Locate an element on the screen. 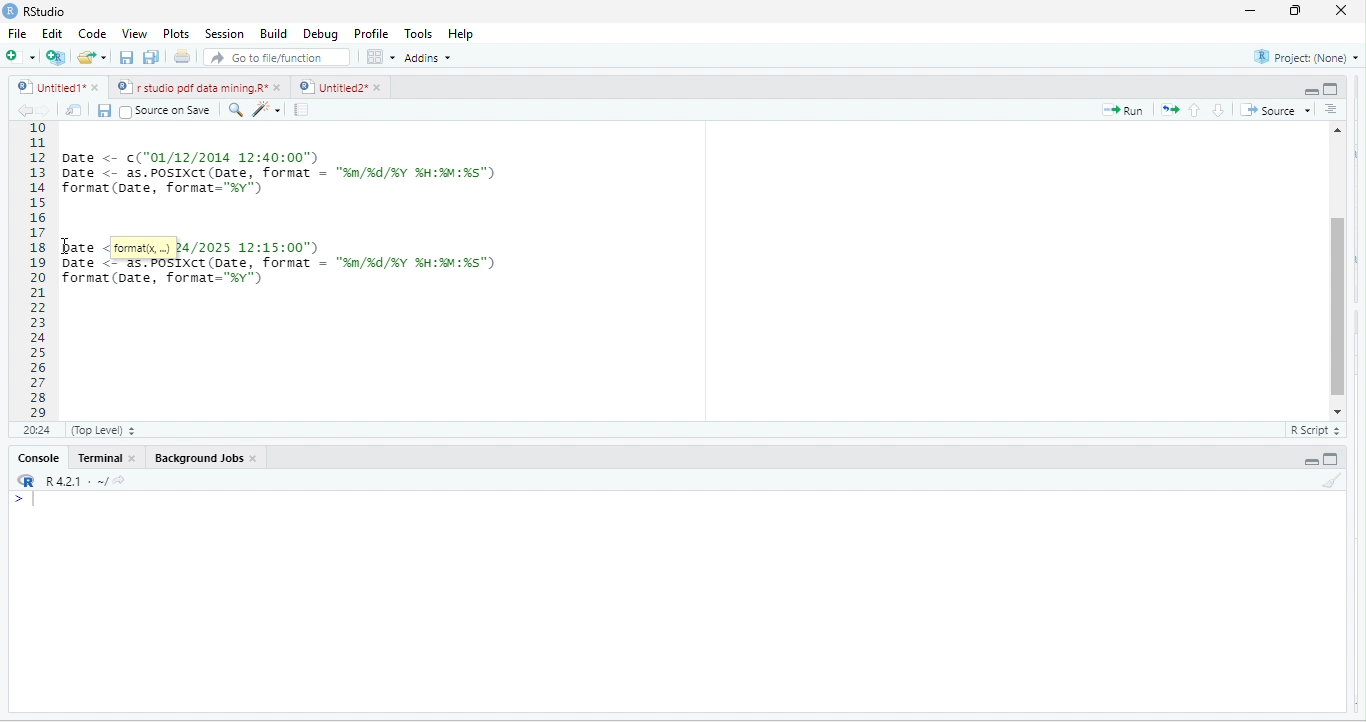 Image resolution: width=1366 pixels, height=722 pixels. save current document is located at coordinates (108, 112).